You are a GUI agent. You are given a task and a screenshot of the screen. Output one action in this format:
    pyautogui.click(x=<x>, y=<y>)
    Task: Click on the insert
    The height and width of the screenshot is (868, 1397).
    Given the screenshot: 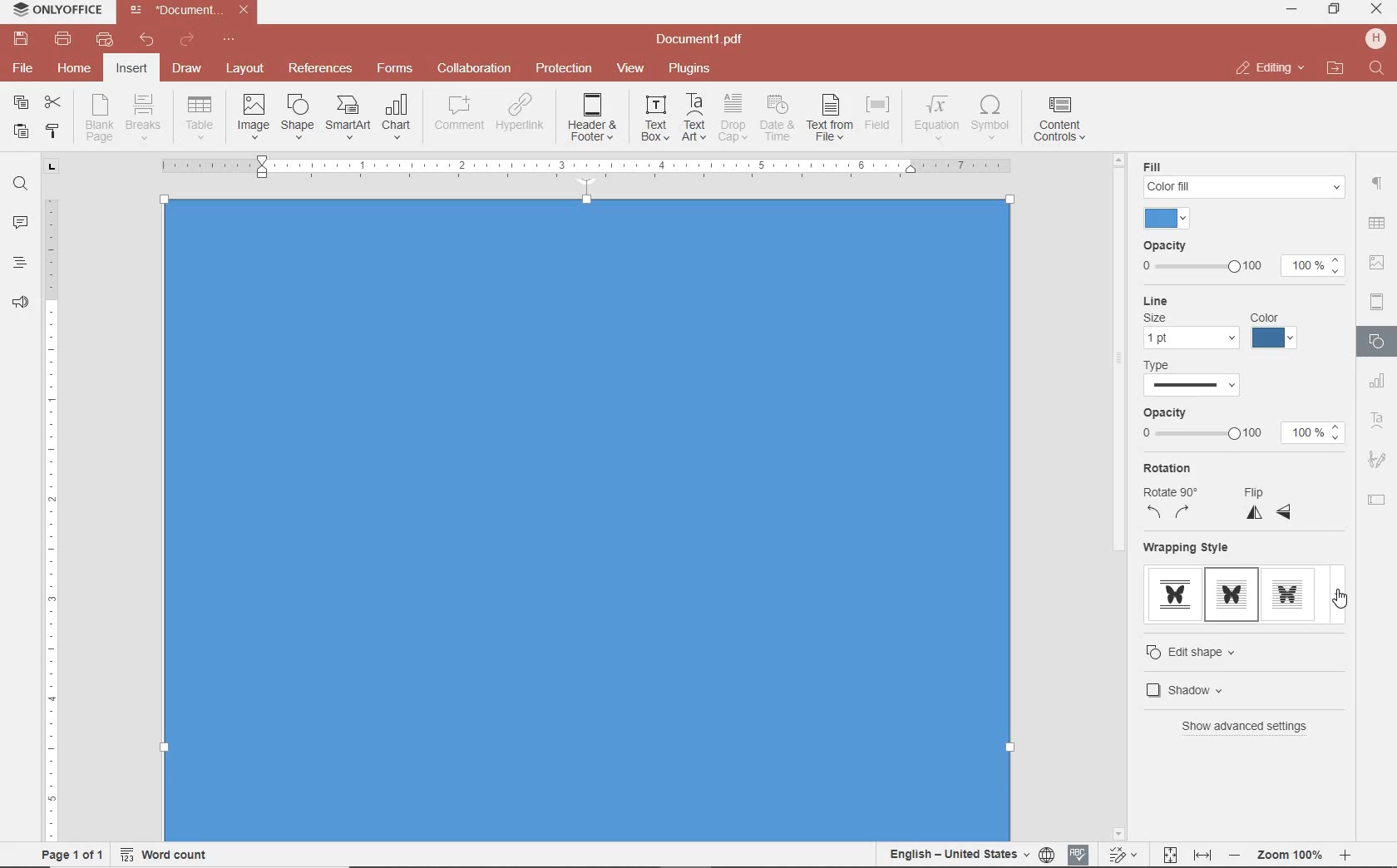 What is the action you would take?
    pyautogui.click(x=131, y=70)
    